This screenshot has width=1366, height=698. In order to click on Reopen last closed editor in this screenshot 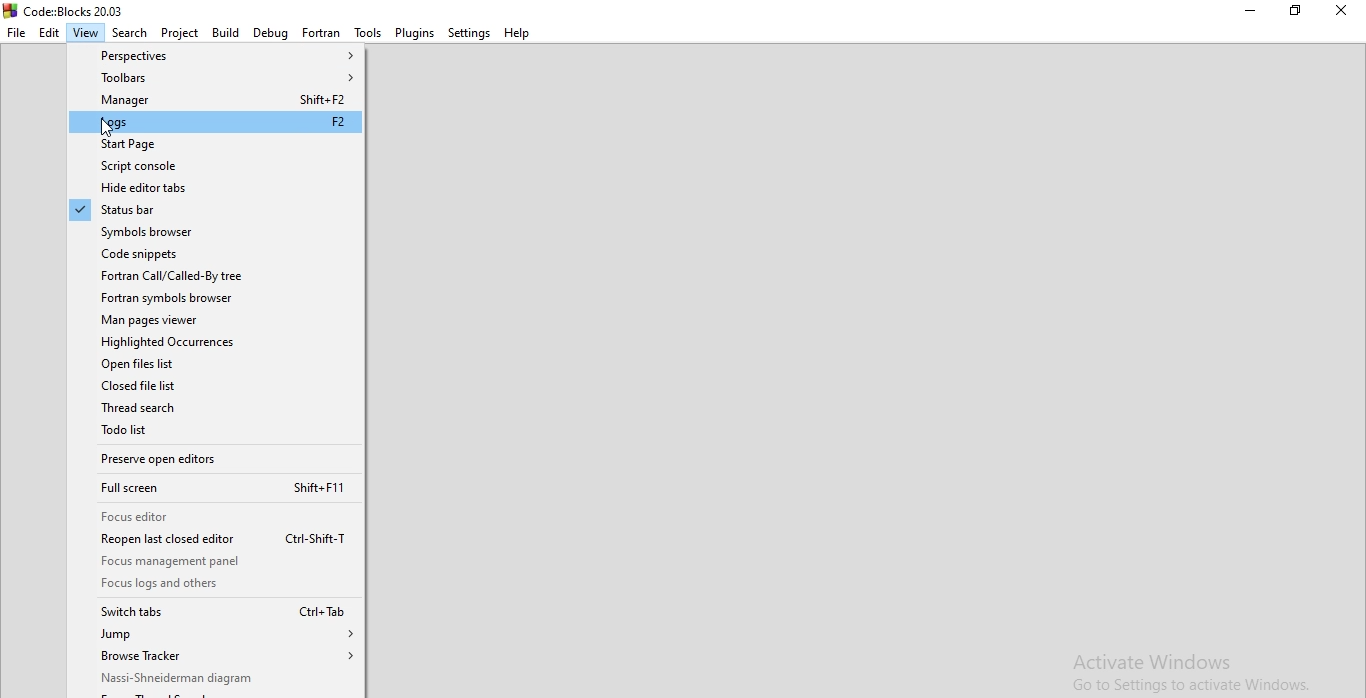, I will do `click(216, 539)`.